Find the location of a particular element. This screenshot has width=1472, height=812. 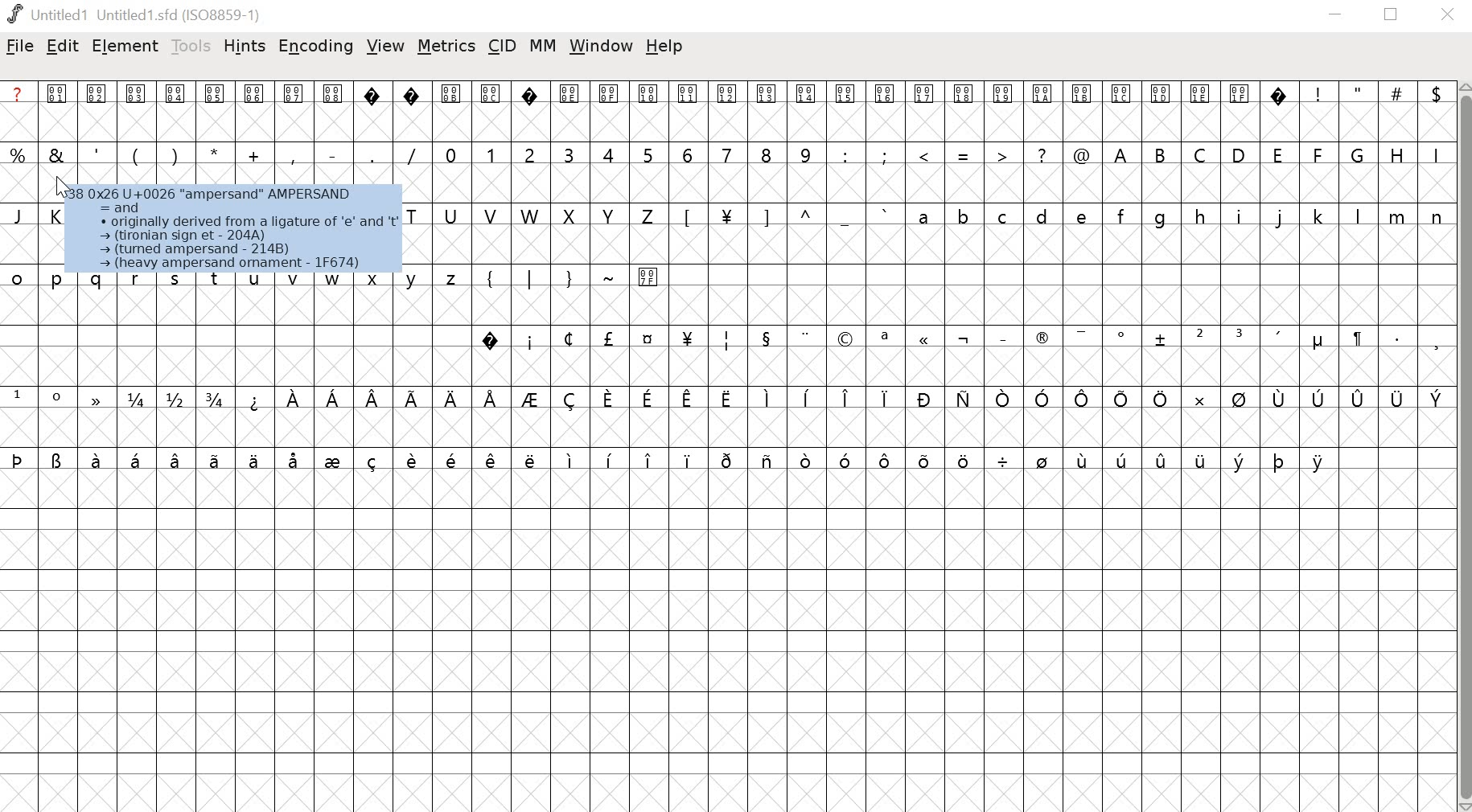

# is located at coordinates (1397, 113).